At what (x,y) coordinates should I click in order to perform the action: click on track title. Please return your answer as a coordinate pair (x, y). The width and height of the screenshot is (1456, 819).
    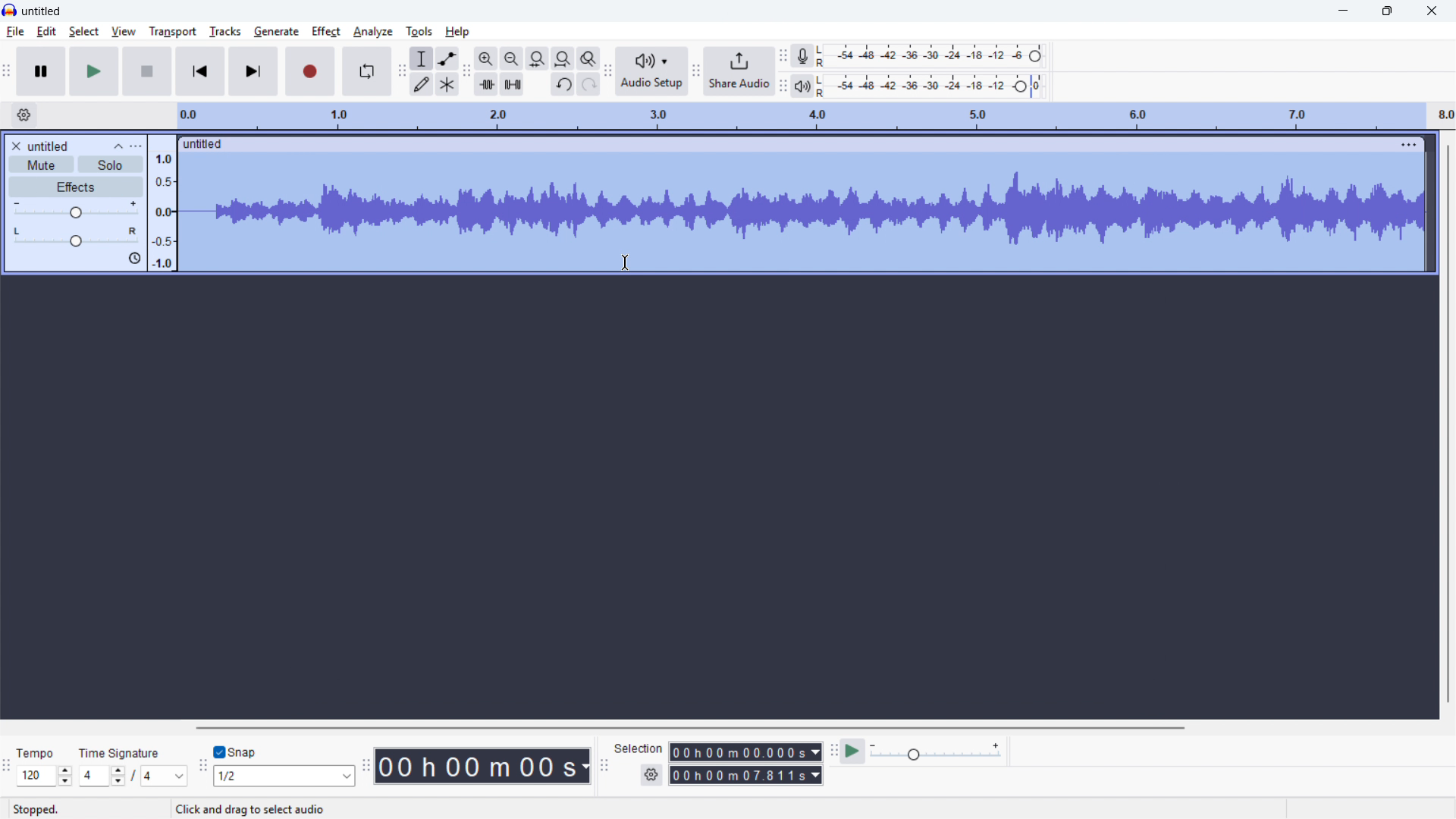
    Looking at the image, I should click on (49, 146).